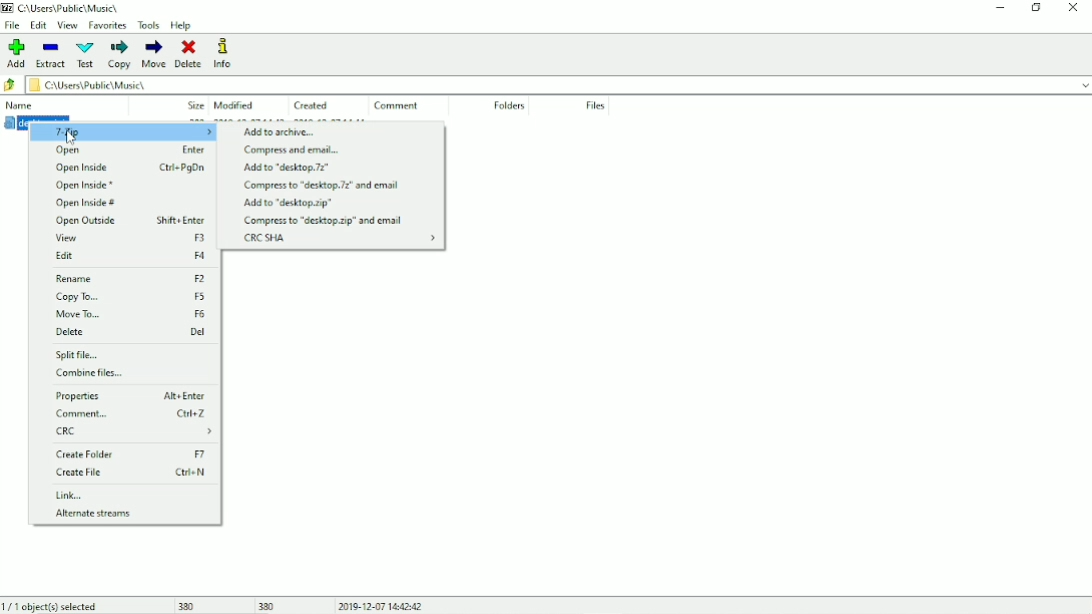 This screenshot has width=1092, height=614. What do you see at coordinates (182, 25) in the screenshot?
I see `Help` at bounding box center [182, 25].